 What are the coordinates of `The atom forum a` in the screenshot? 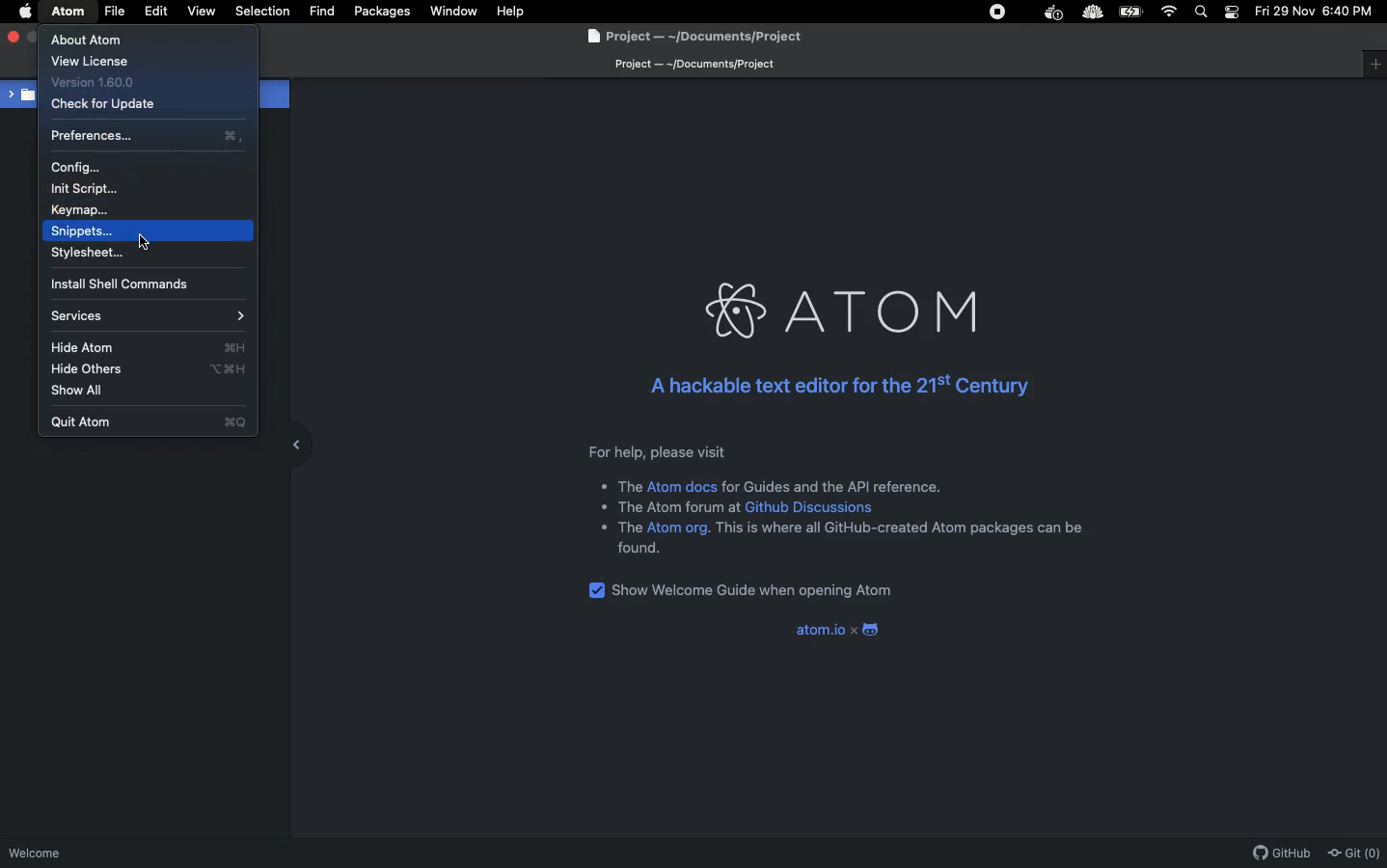 It's located at (673, 504).